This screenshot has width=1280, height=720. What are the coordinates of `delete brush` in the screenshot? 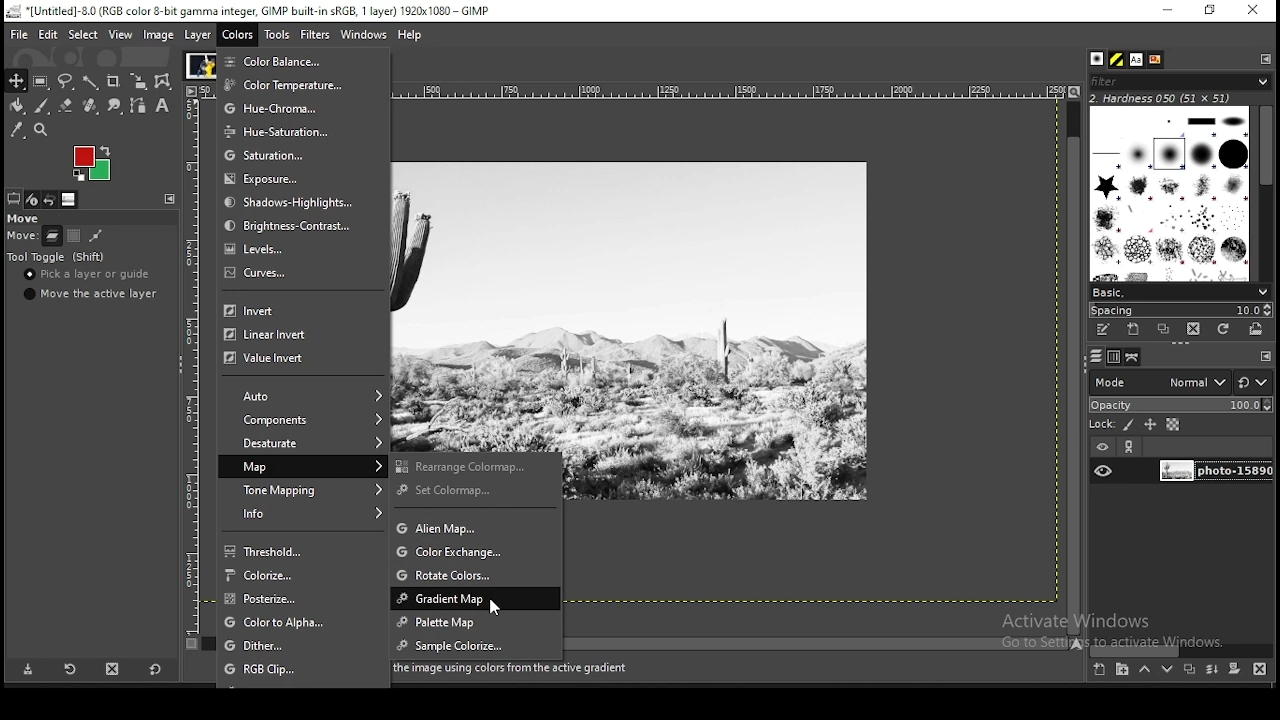 It's located at (1193, 330).